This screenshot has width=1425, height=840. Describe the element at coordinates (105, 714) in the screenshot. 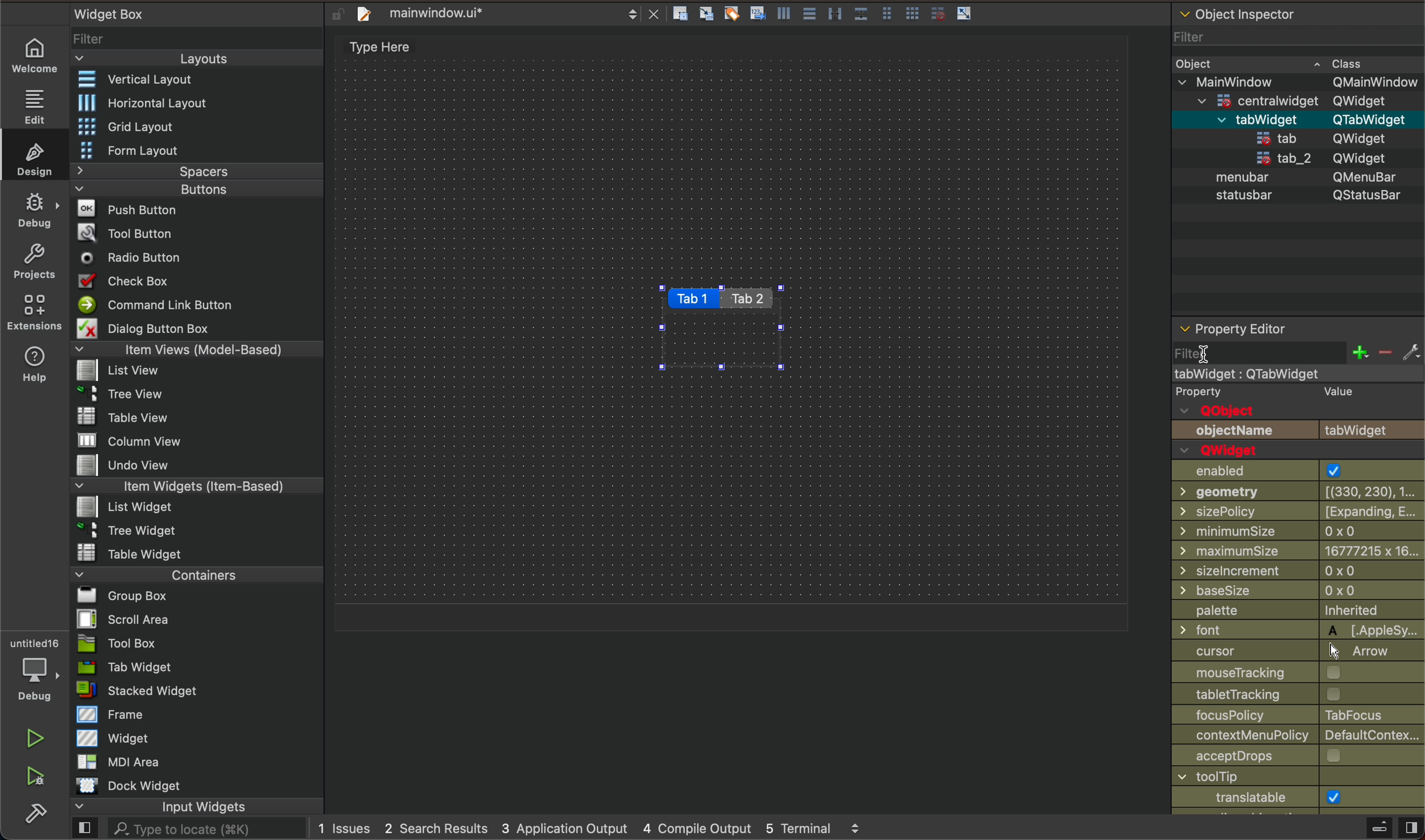

I see `Frame` at that location.